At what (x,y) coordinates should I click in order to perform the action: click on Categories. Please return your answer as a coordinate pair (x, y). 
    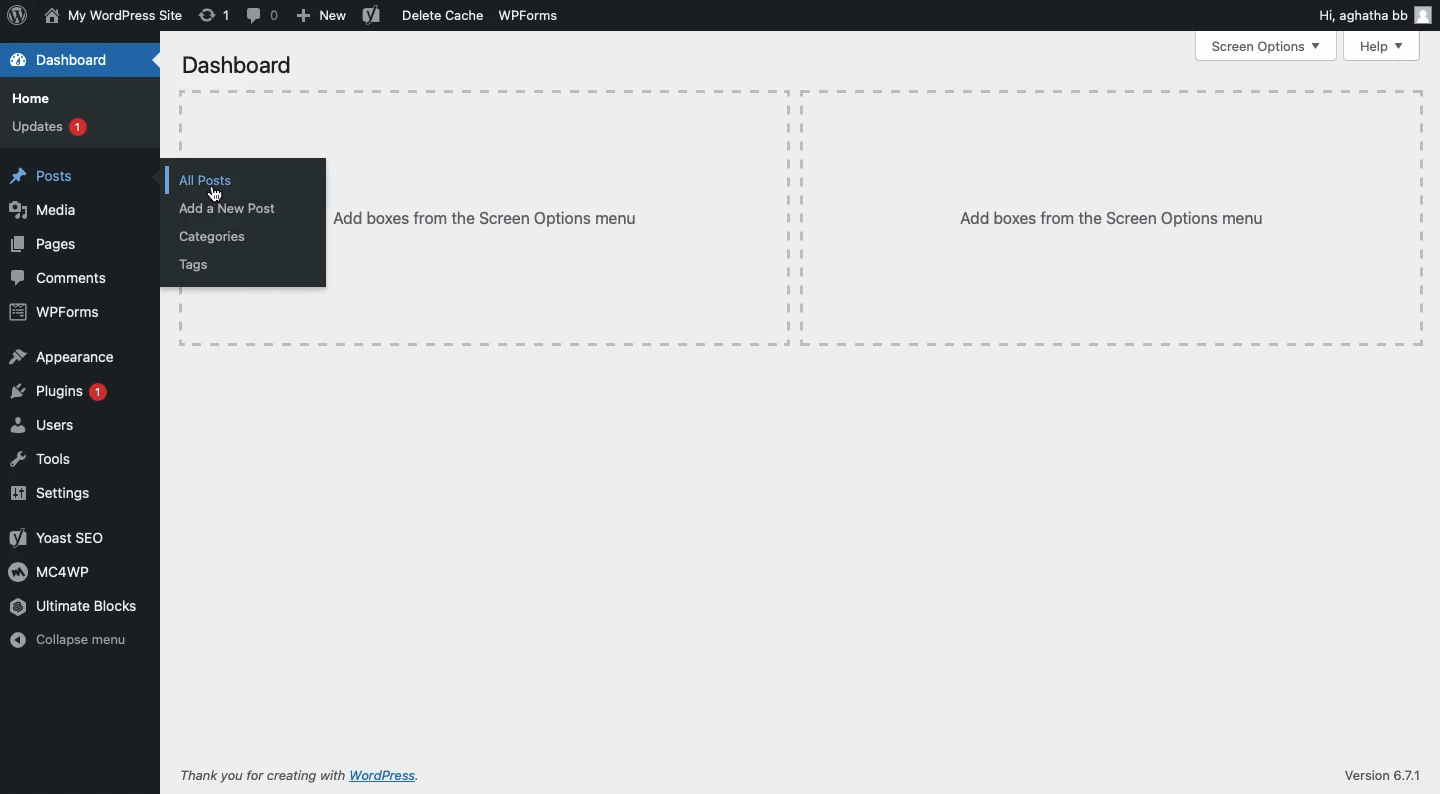
    Looking at the image, I should click on (215, 238).